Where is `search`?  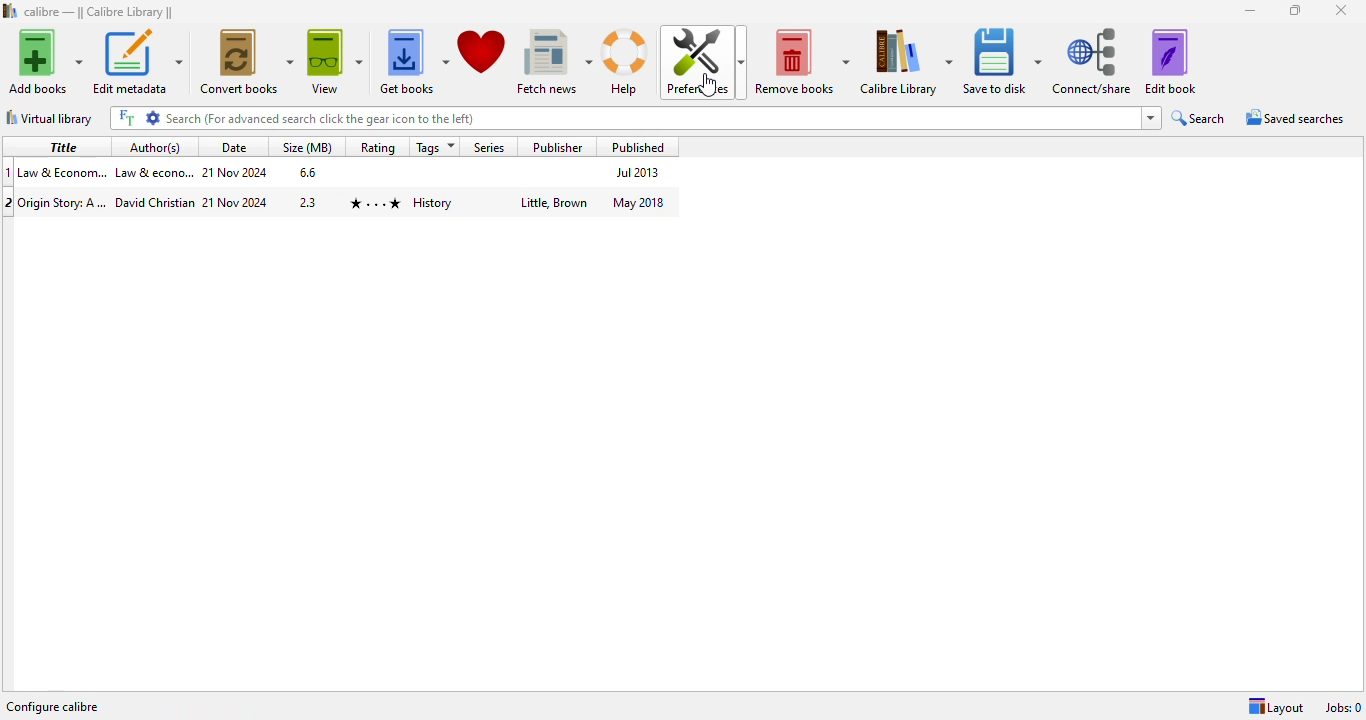
search is located at coordinates (650, 118).